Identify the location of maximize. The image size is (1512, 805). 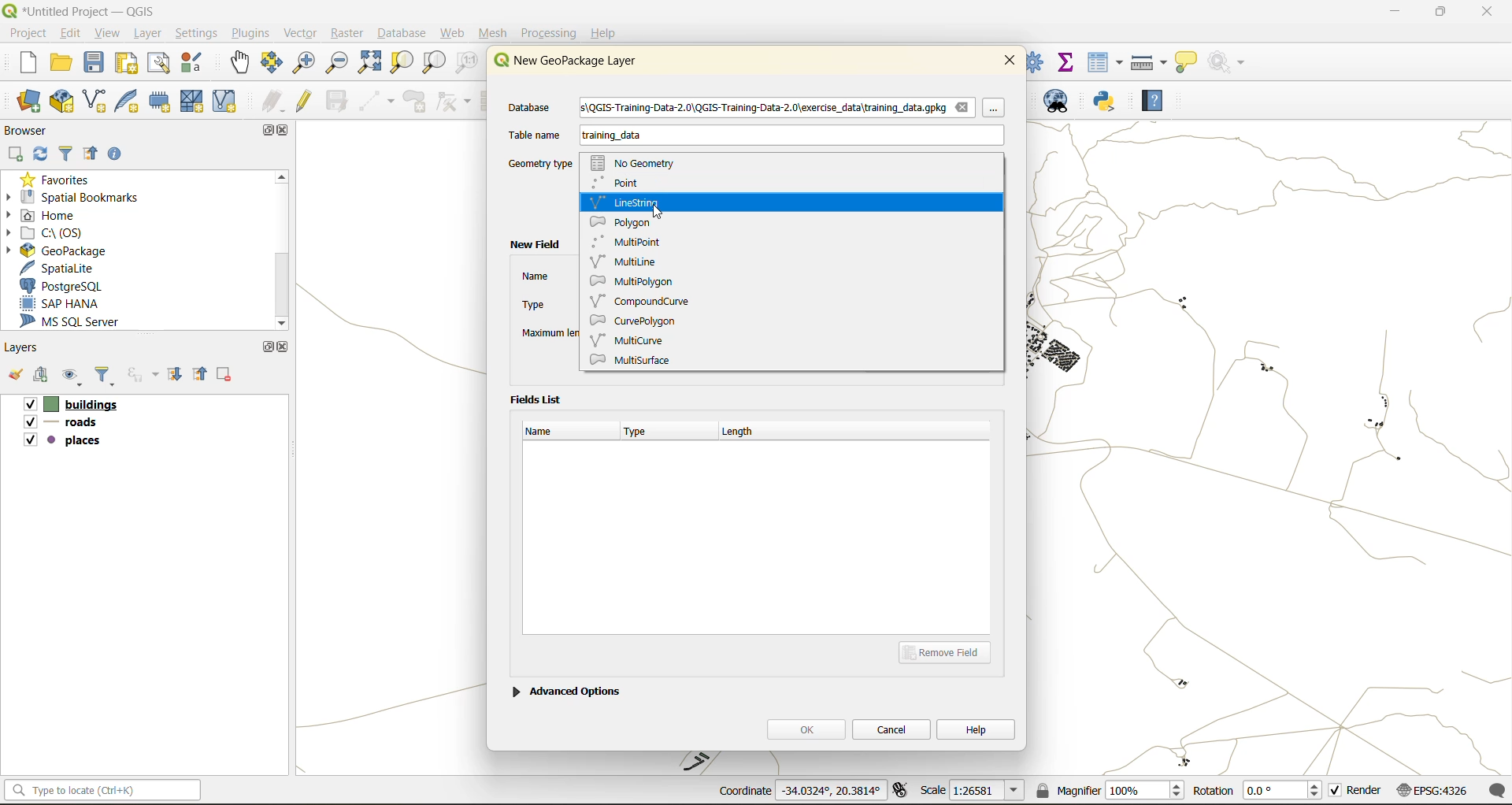
(267, 347).